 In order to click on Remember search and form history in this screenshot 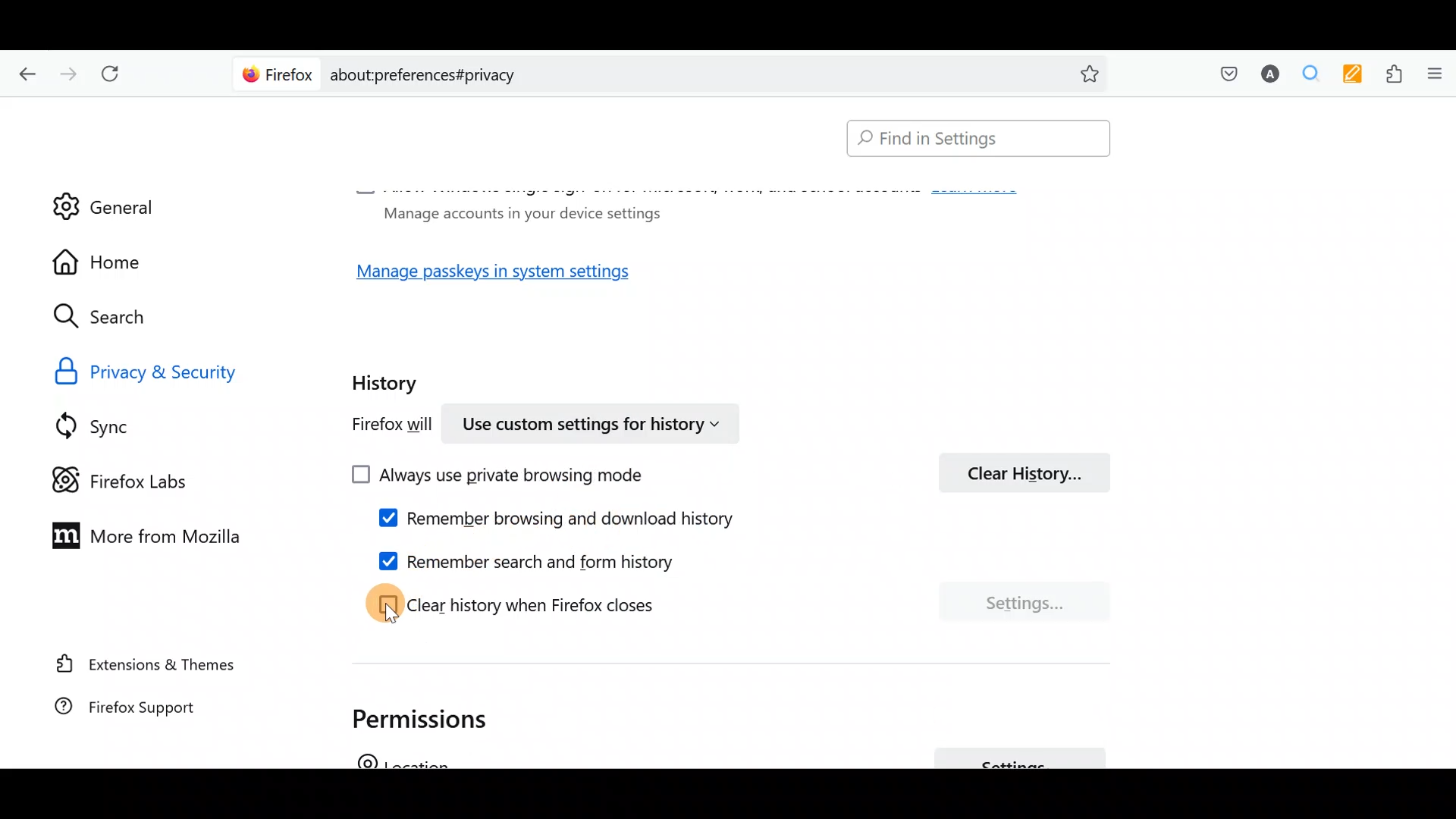, I will do `click(553, 560)`.